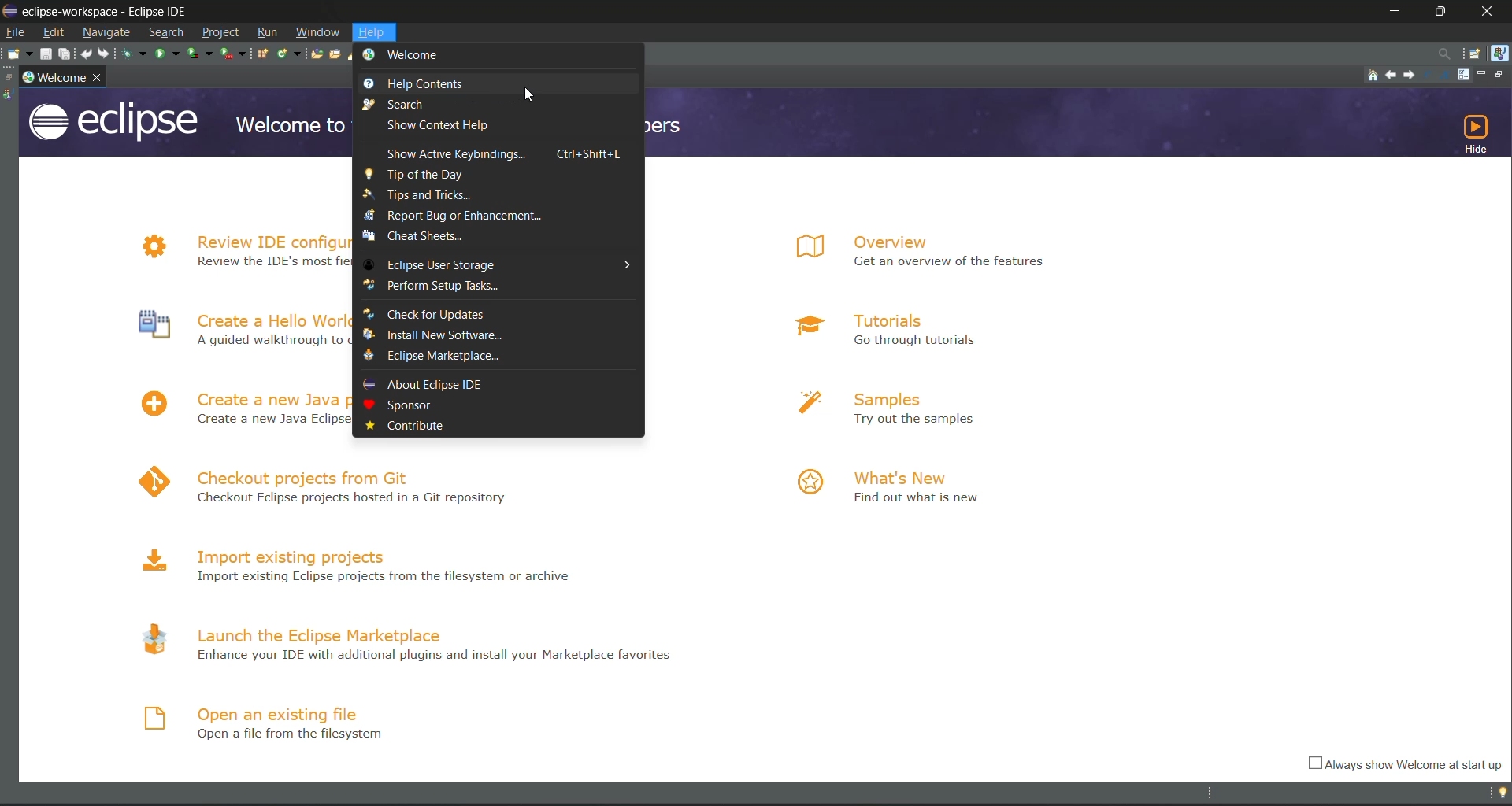 The width and height of the screenshot is (1512, 806). What do you see at coordinates (224, 31) in the screenshot?
I see `project` at bounding box center [224, 31].